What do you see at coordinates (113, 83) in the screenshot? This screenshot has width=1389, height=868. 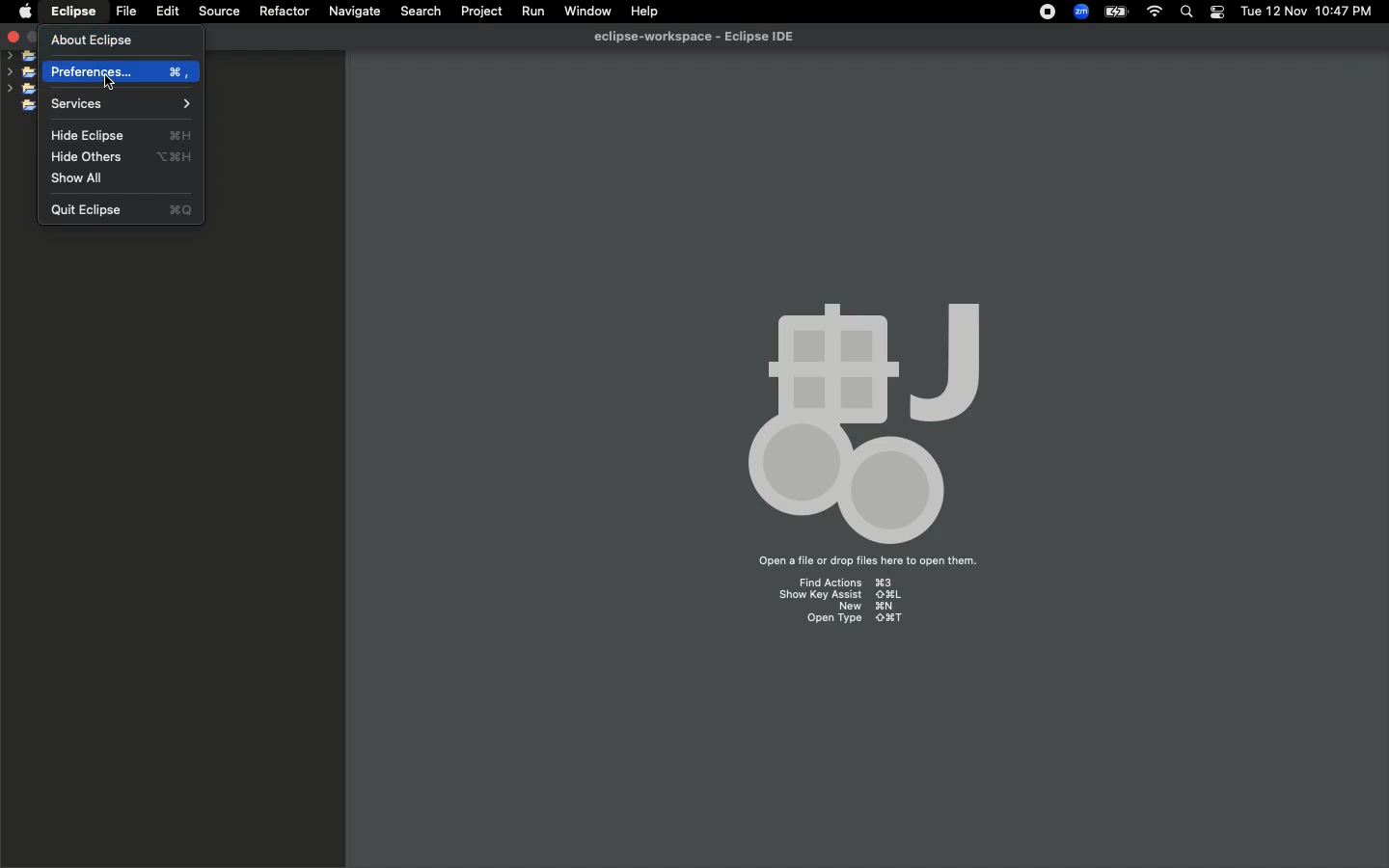 I see `Cursor` at bounding box center [113, 83].